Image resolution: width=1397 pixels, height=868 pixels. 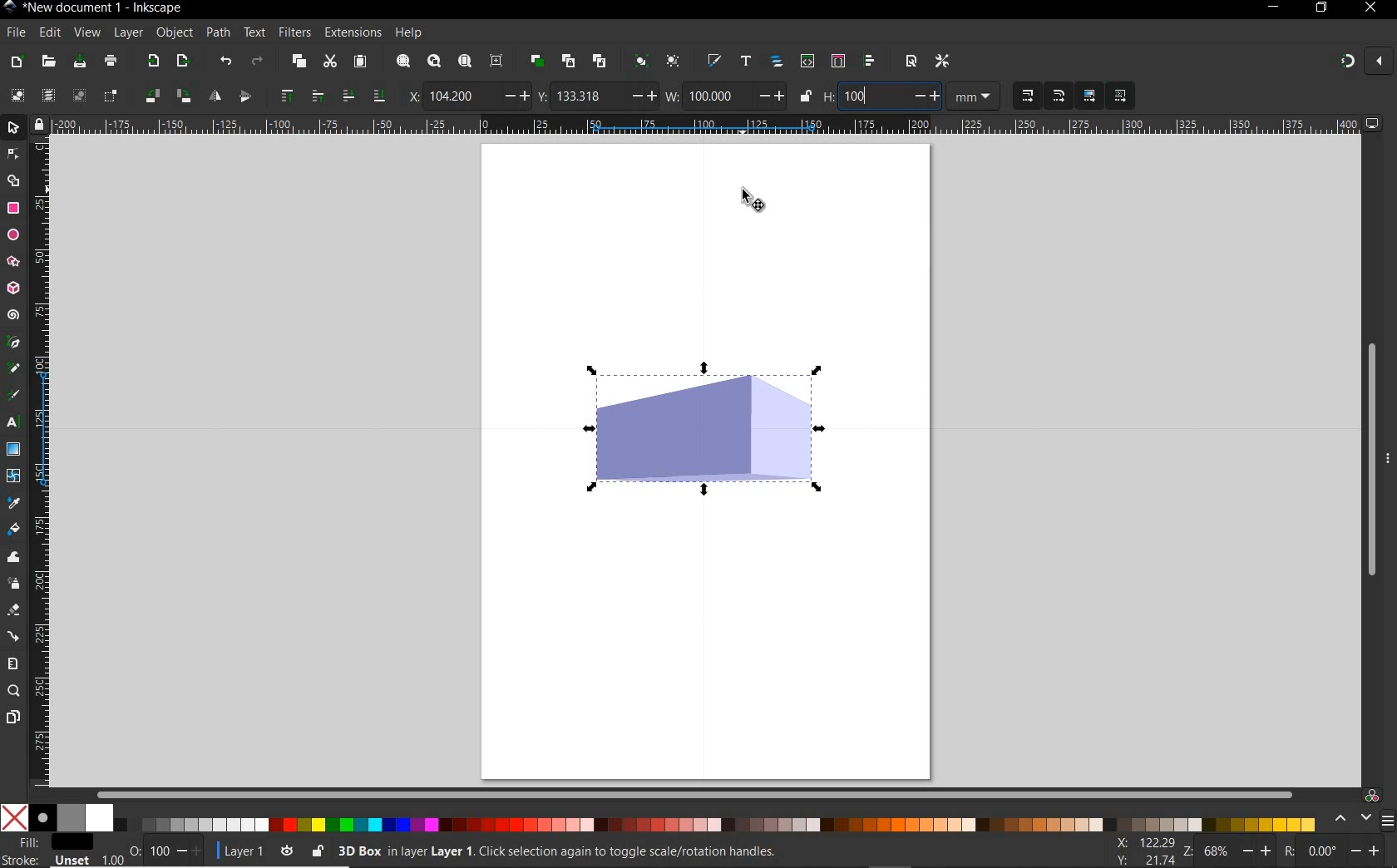 I want to click on 133, so click(x=588, y=96).